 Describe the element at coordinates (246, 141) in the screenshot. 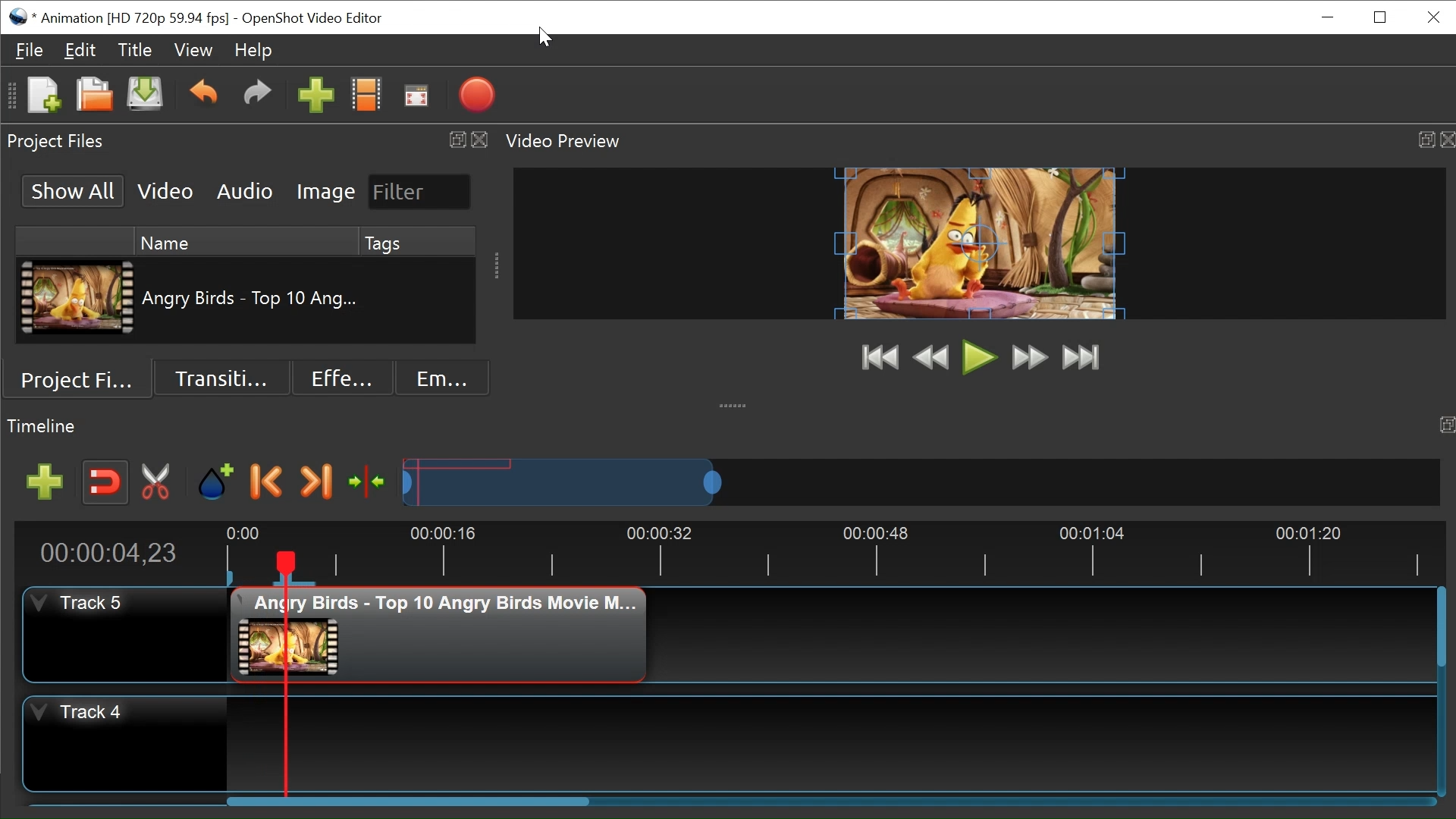

I see `Project Files Panel` at that location.